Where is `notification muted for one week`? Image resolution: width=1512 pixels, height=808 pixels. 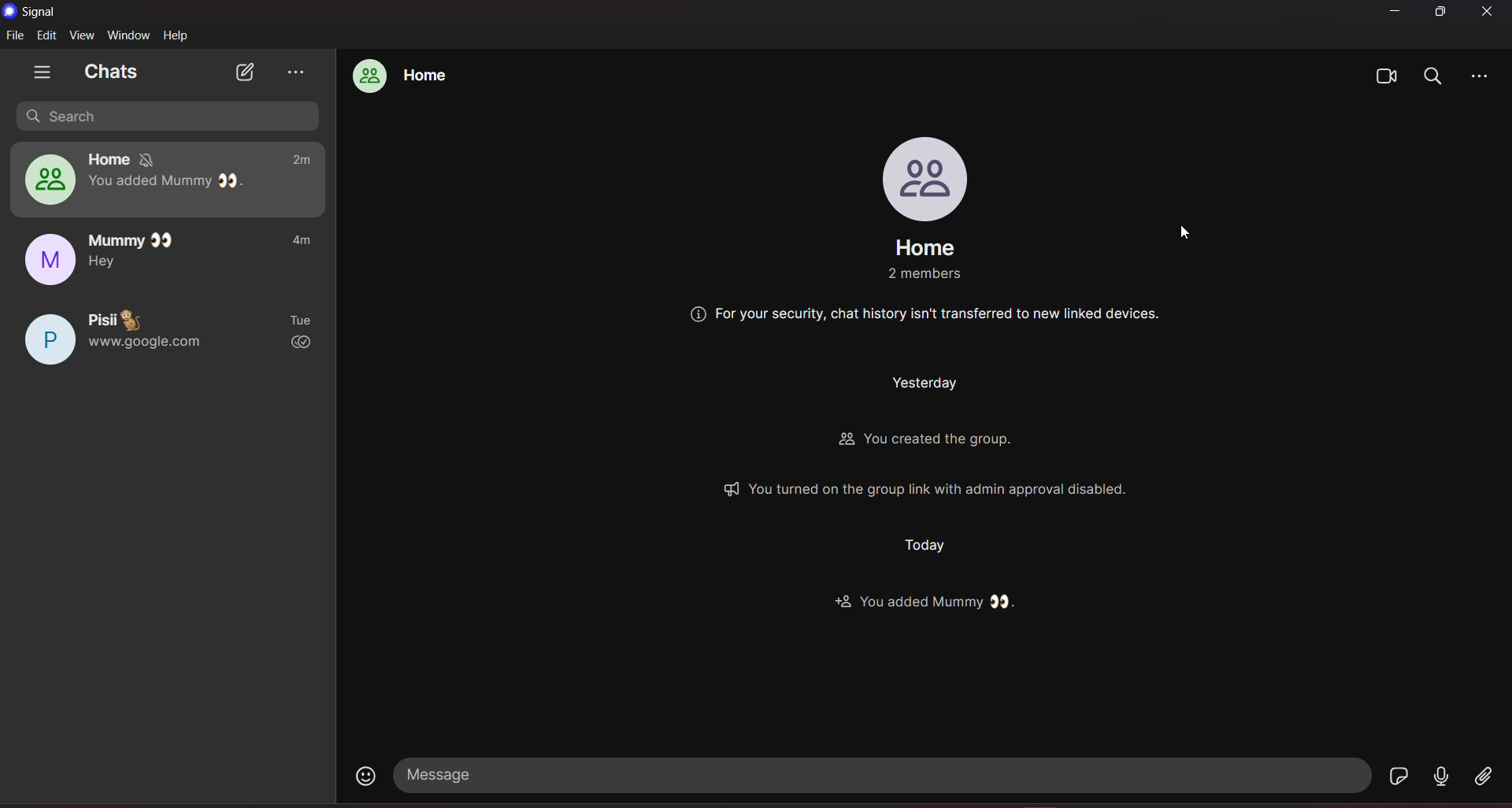
notification muted for one week is located at coordinates (156, 158).